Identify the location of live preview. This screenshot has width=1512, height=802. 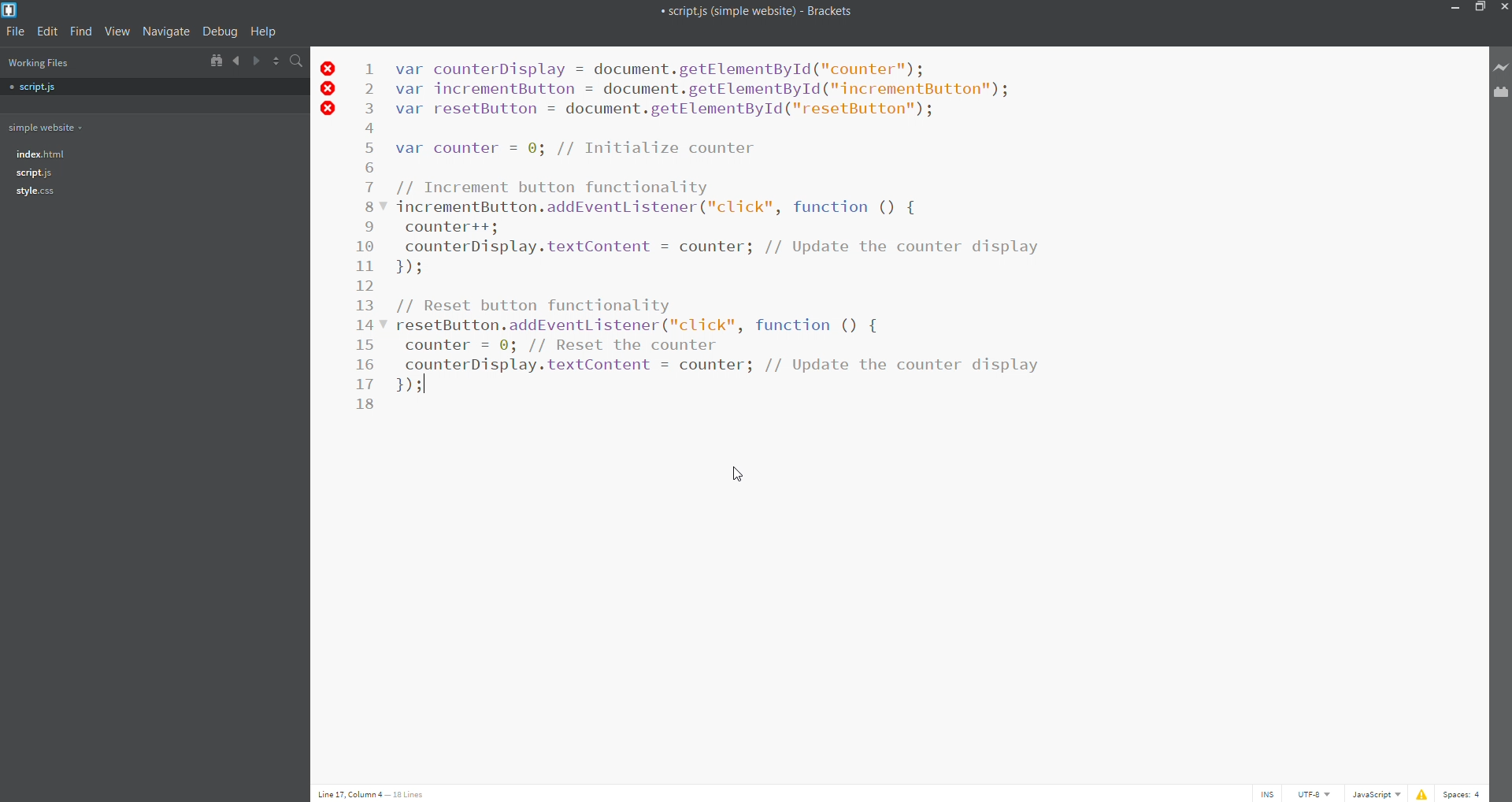
(1499, 69).